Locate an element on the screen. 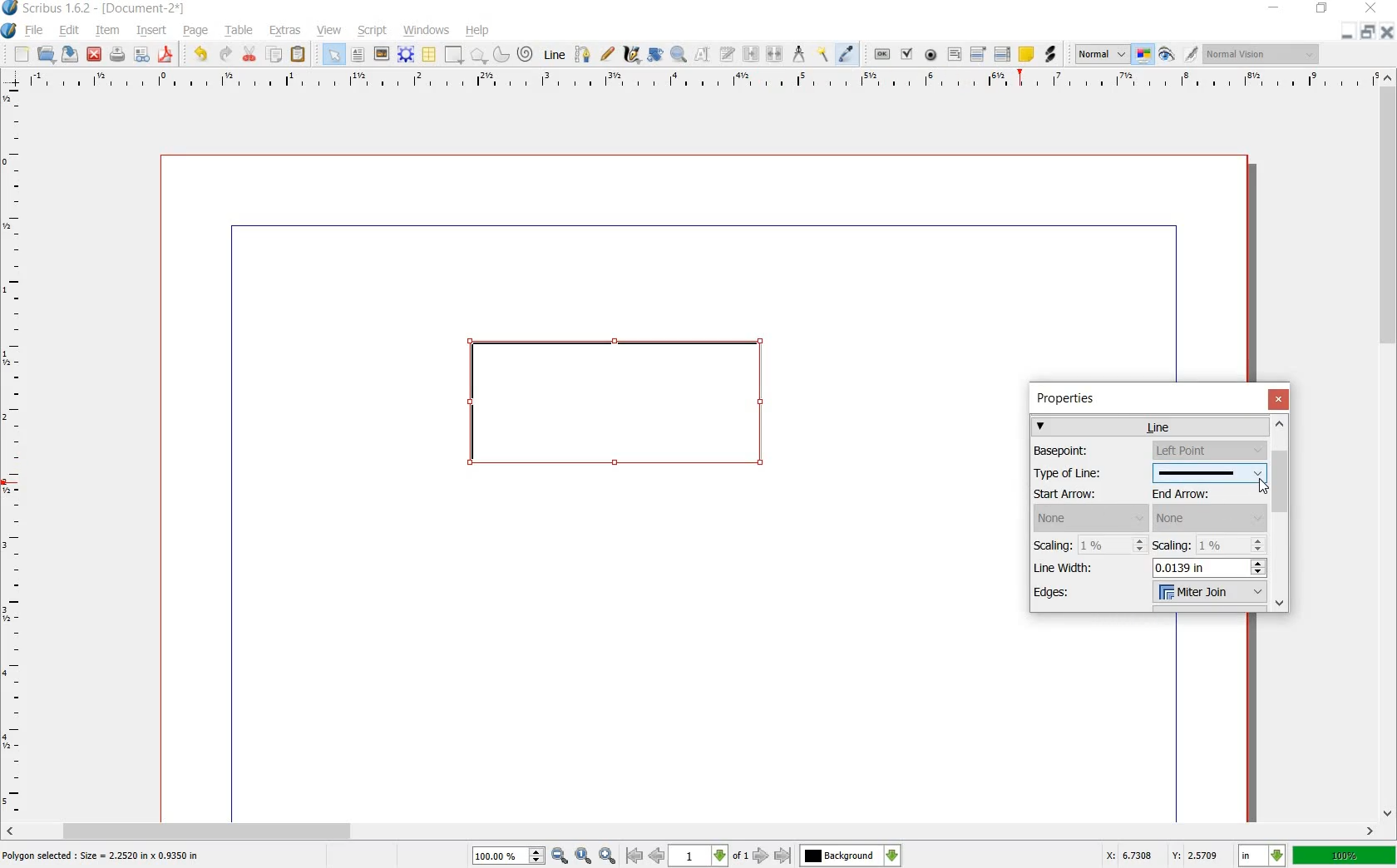 The width and height of the screenshot is (1397, 868). Start Arrow: is located at coordinates (1085, 495).